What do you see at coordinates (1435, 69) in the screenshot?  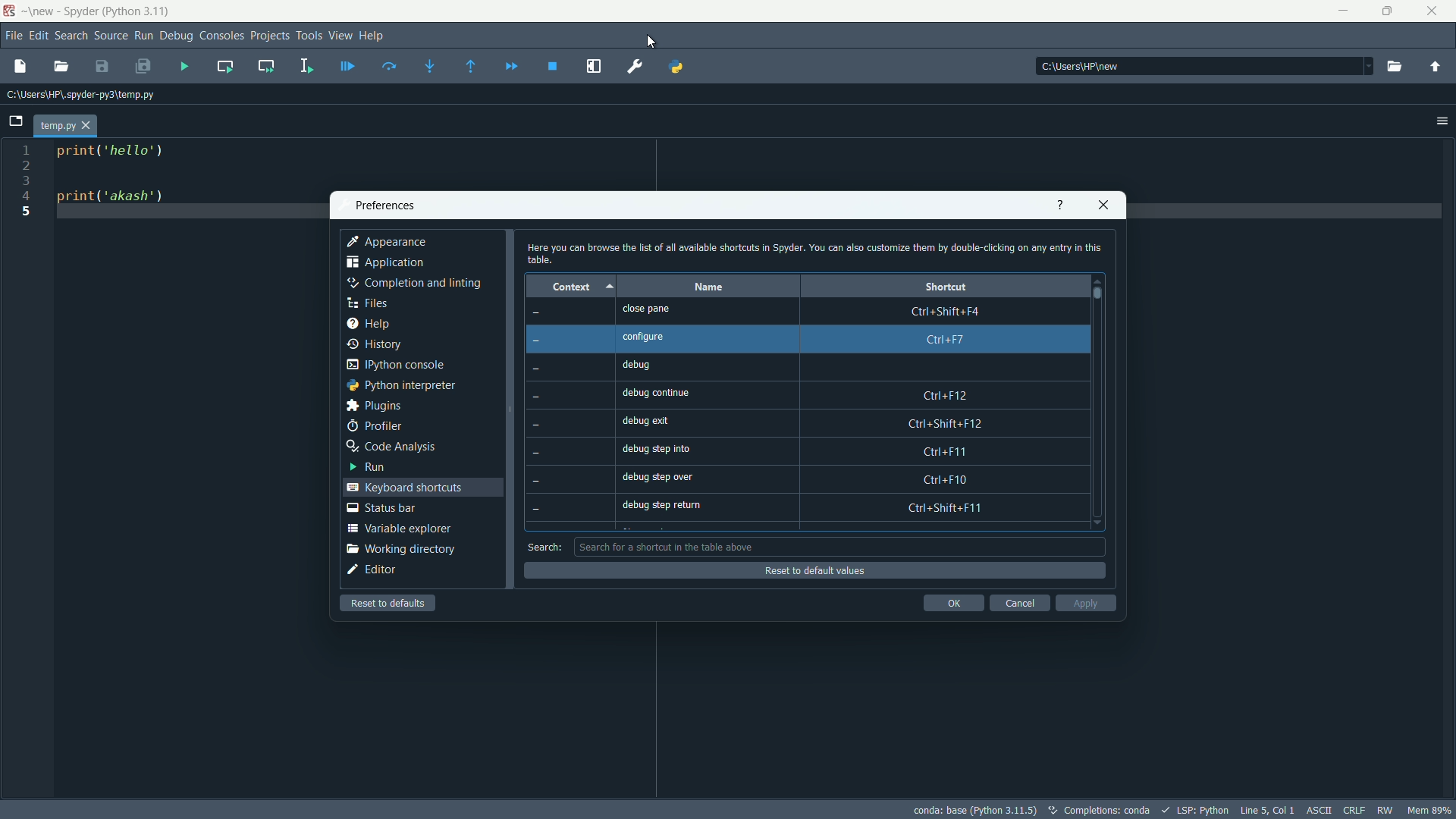 I see `parent directory` at bounding box center [1435, 69].